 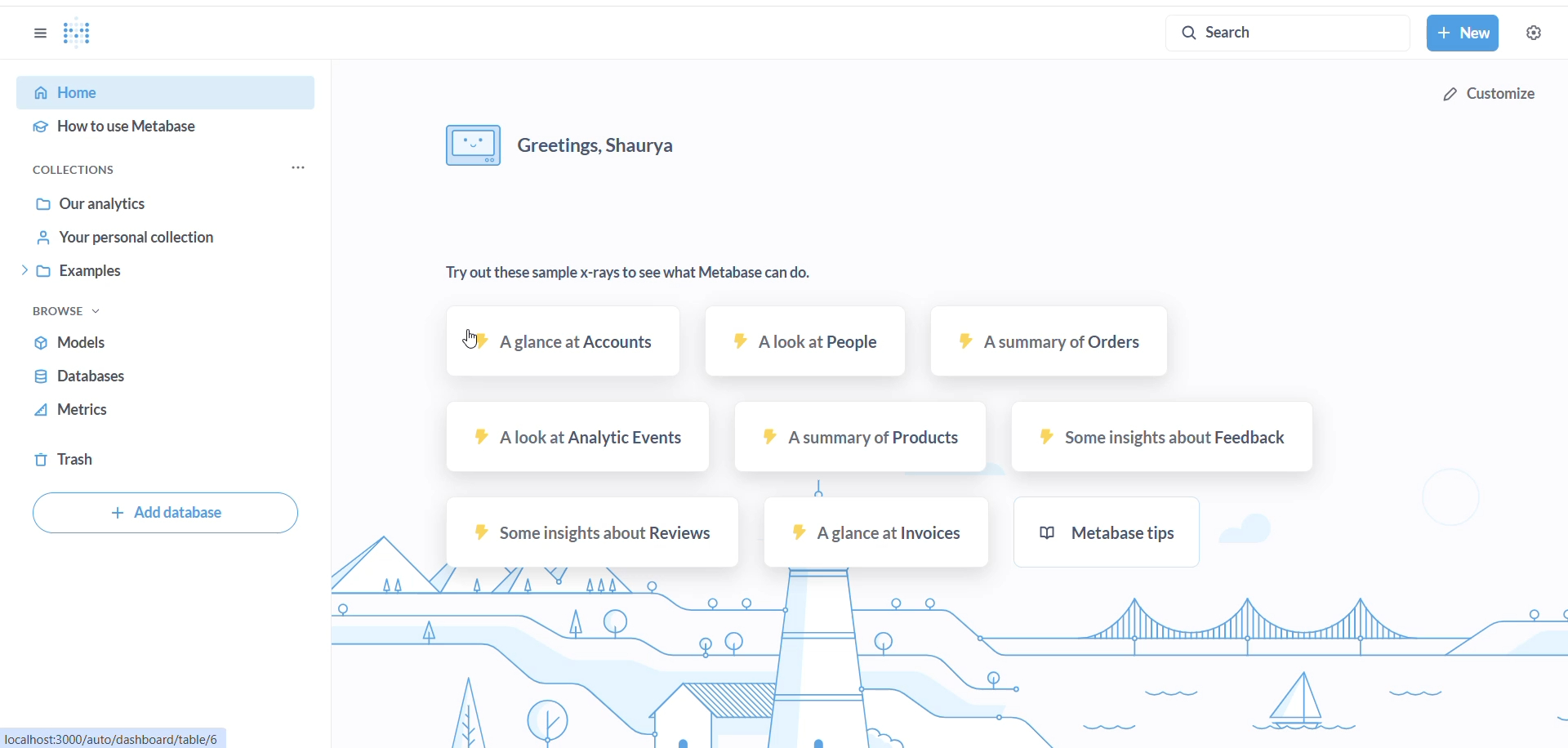 I want to click on your personal collections, so click(x=167, y=243).